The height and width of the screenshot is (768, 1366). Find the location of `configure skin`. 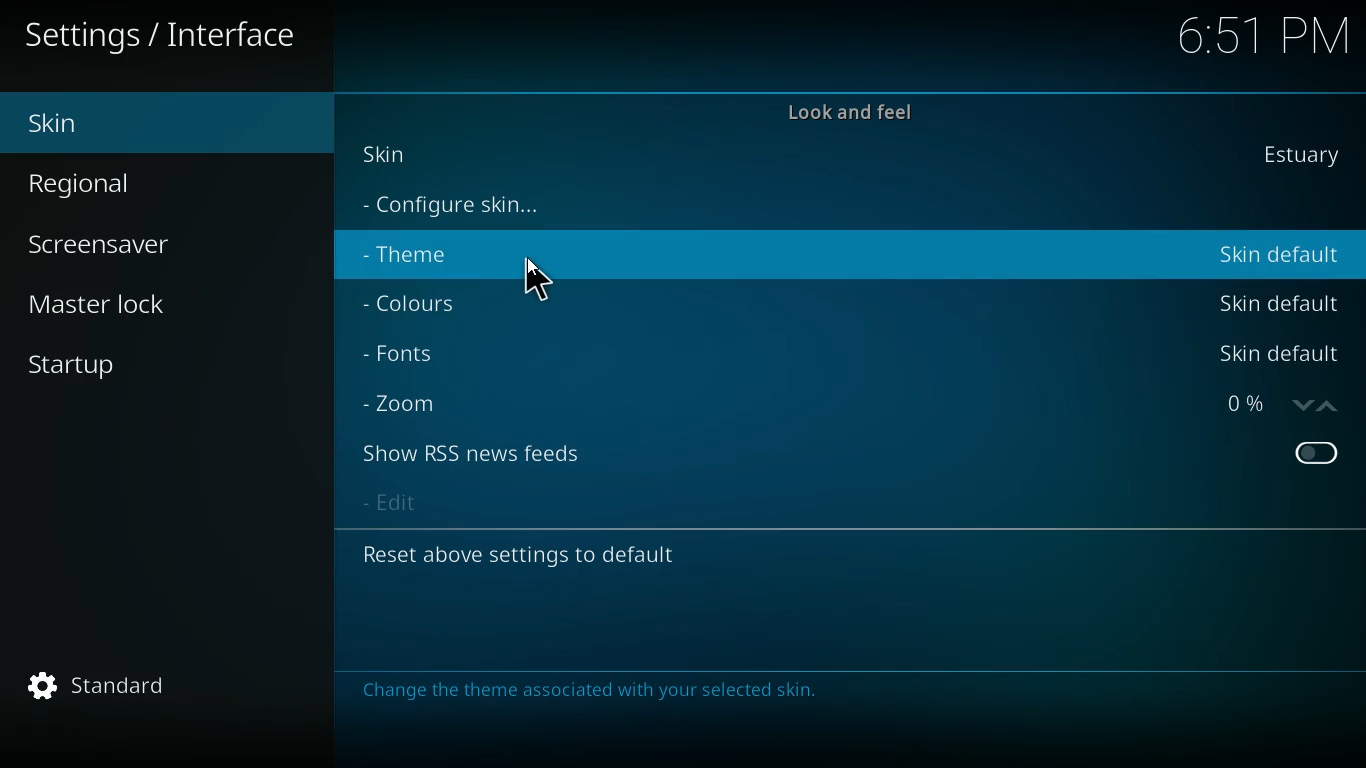

configure skin is located at coordinates (461, 207).